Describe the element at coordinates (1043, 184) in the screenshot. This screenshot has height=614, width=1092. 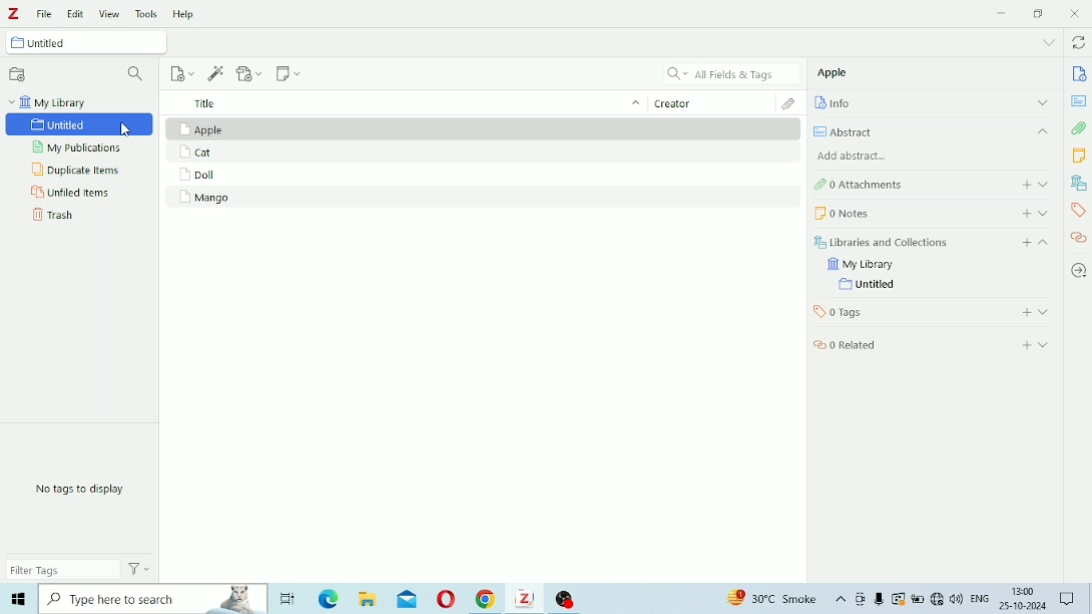
I see `Expand section` at that location.